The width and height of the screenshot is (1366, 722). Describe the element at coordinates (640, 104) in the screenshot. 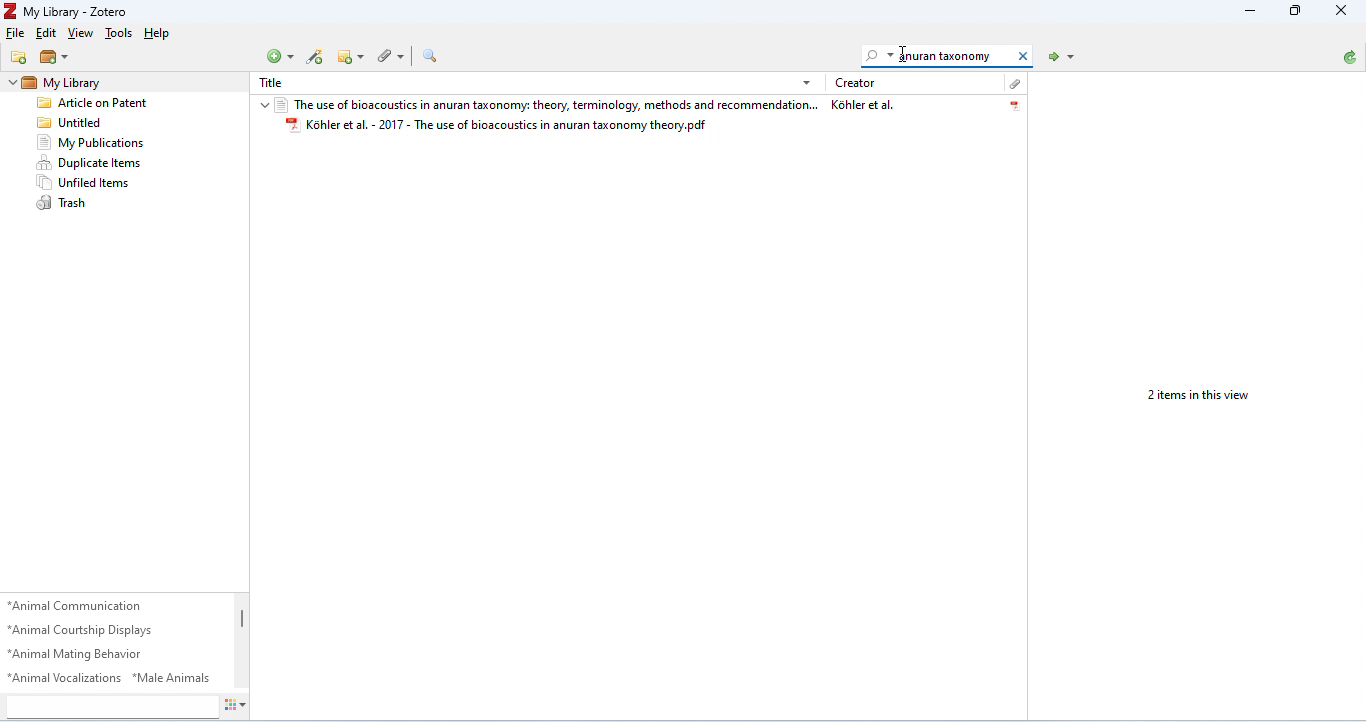

I see `The use of bioacoustics in anuran taxonomy: theory, terminology, methods and recommendation... Kohler et al.` at that location.